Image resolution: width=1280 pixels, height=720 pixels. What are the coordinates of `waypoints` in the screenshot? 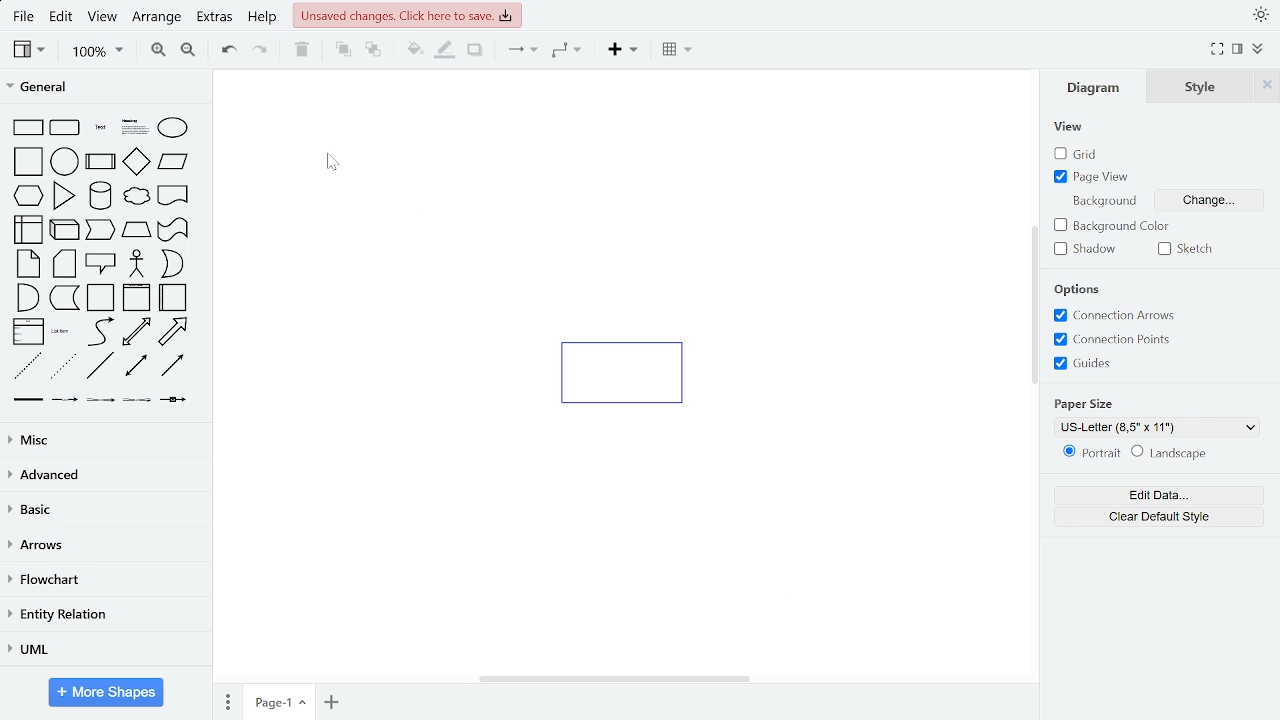 It's located at (568, 52).